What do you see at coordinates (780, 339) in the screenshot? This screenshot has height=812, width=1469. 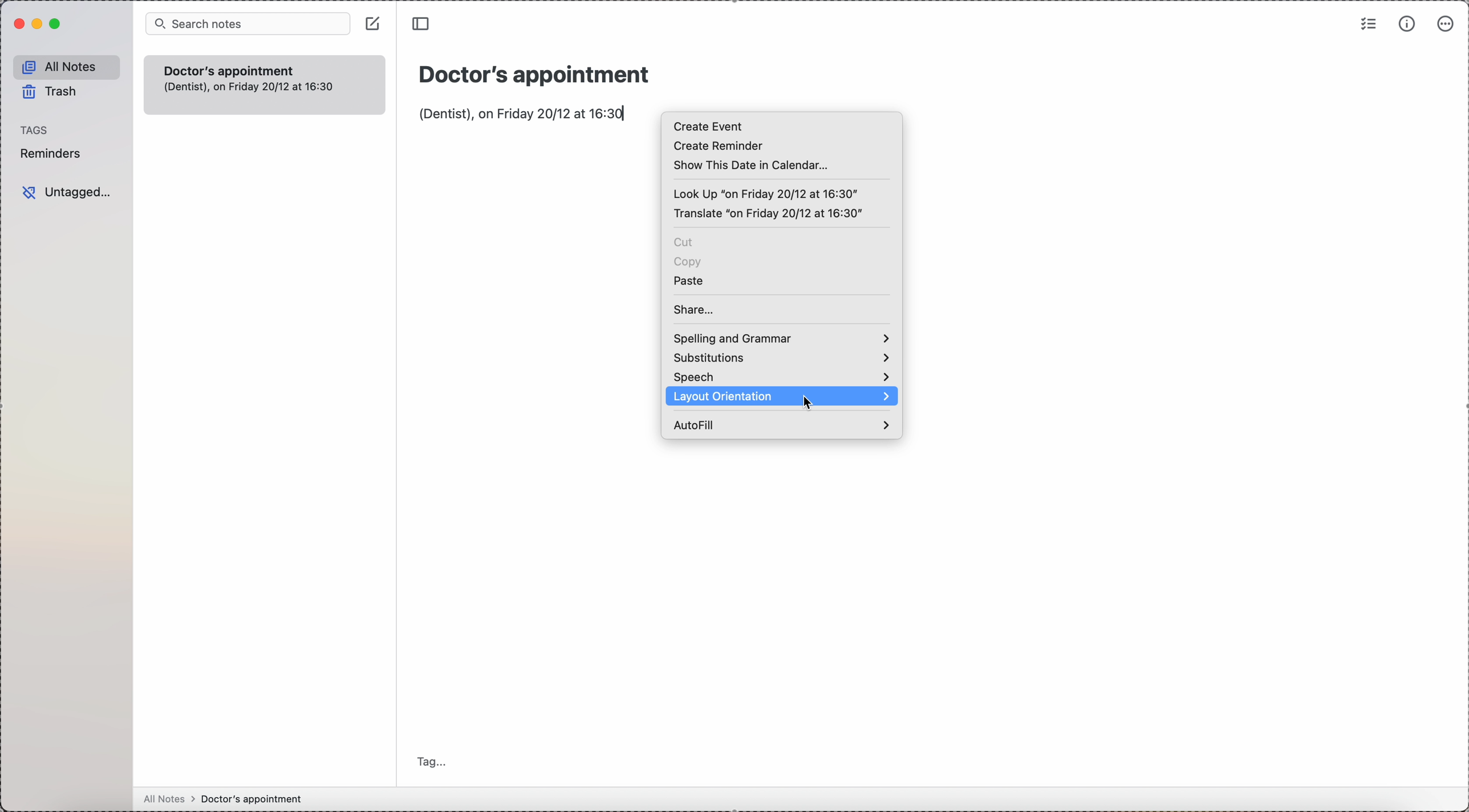 I see `spelling and grammar` at bounding box center [780, 339].